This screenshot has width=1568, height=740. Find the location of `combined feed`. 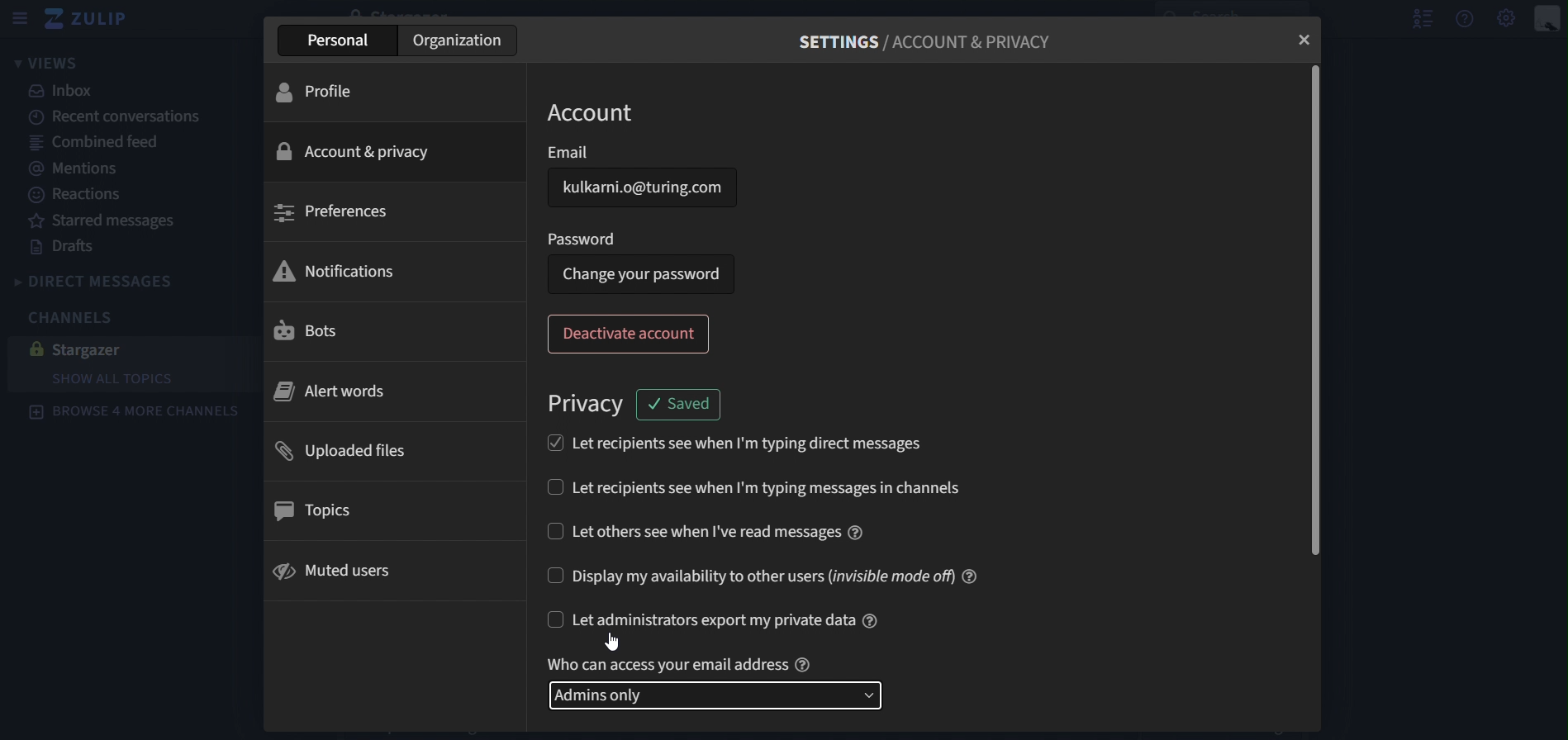

combined feed is located at coordinates (109, 145).